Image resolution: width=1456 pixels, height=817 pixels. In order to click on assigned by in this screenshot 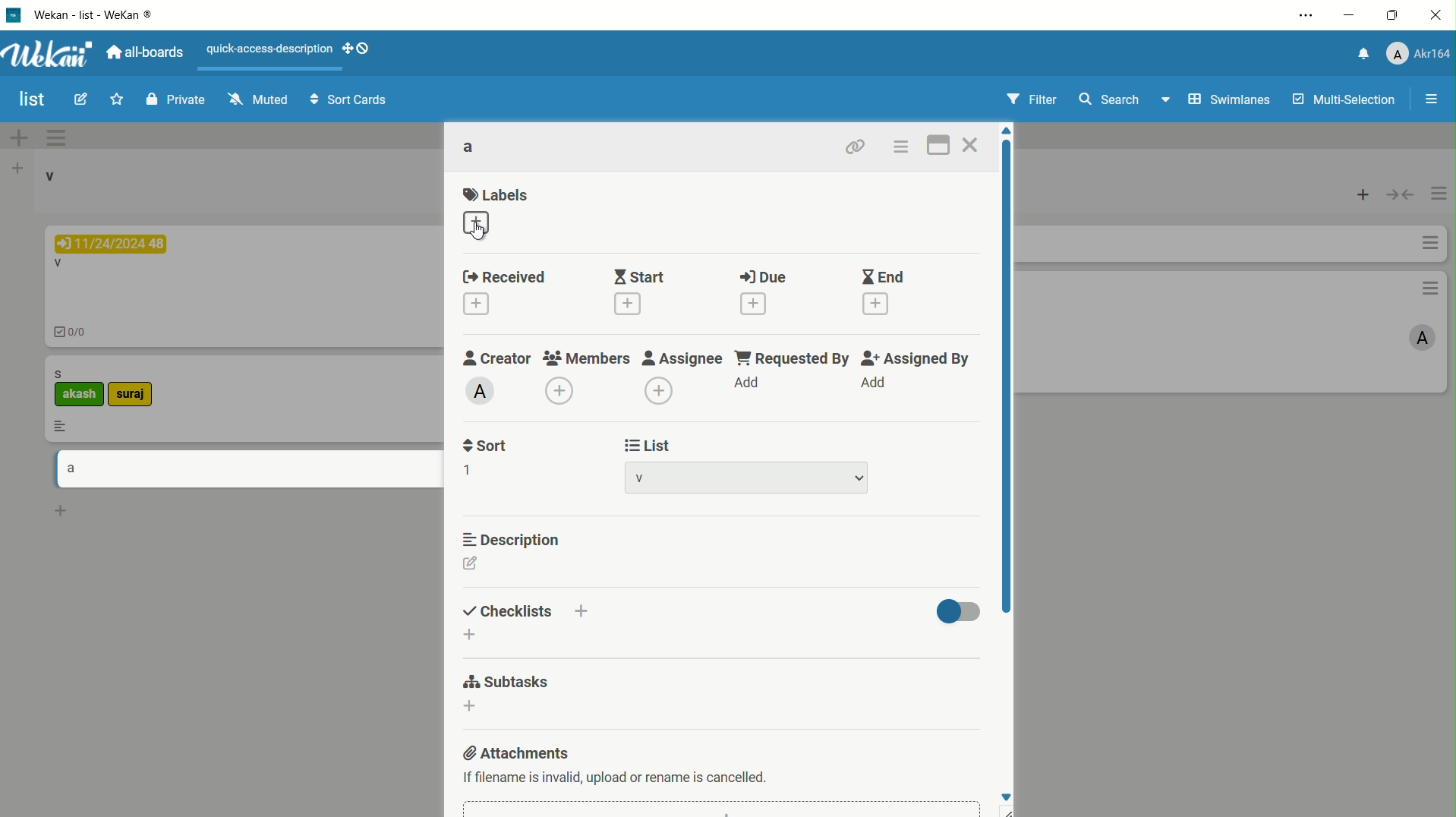, I will do `click(915, 359)`.